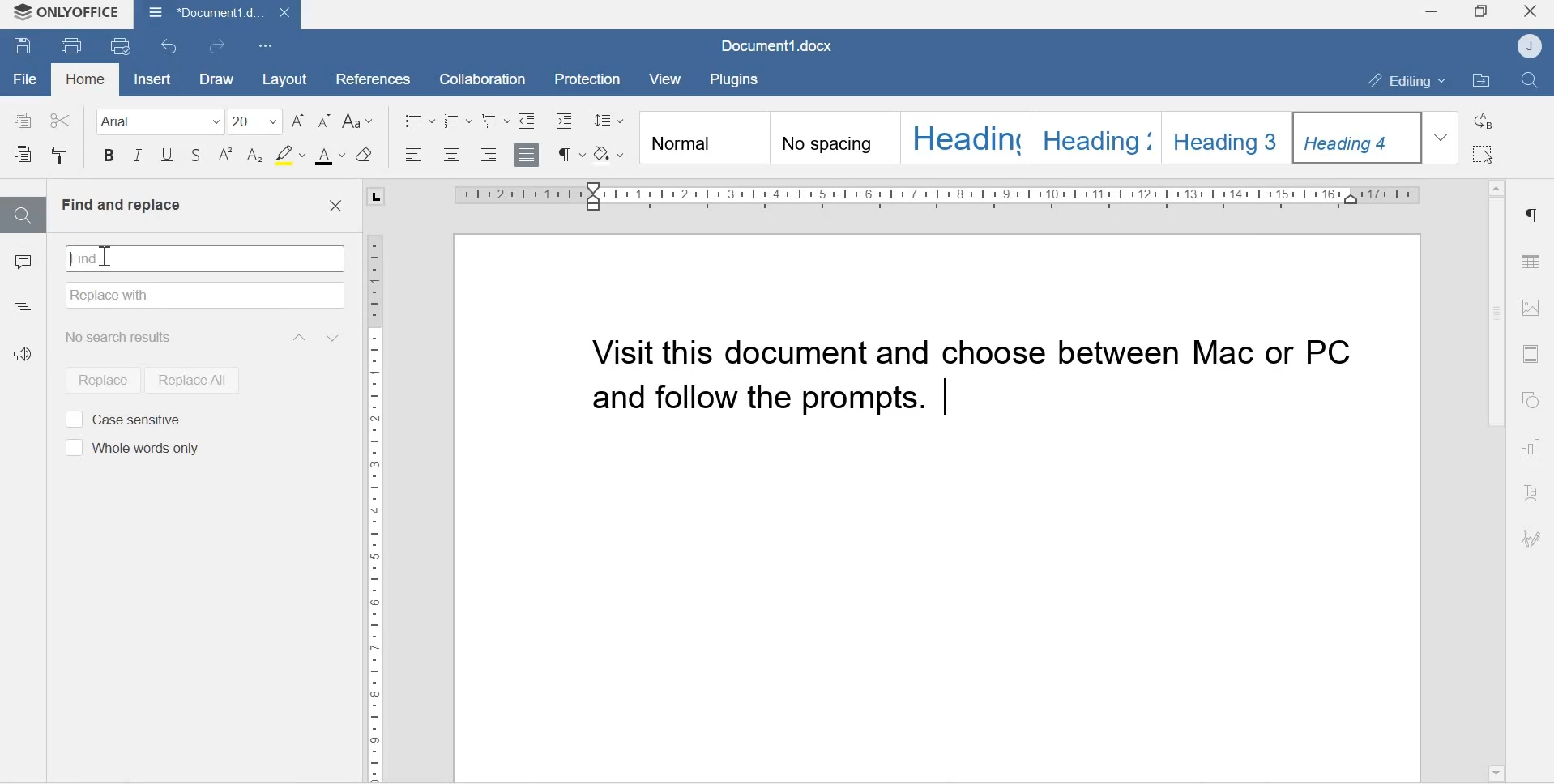  Describe the element at coordinates (130, 449) in the screenshot. I see `Whole words only` at that location.